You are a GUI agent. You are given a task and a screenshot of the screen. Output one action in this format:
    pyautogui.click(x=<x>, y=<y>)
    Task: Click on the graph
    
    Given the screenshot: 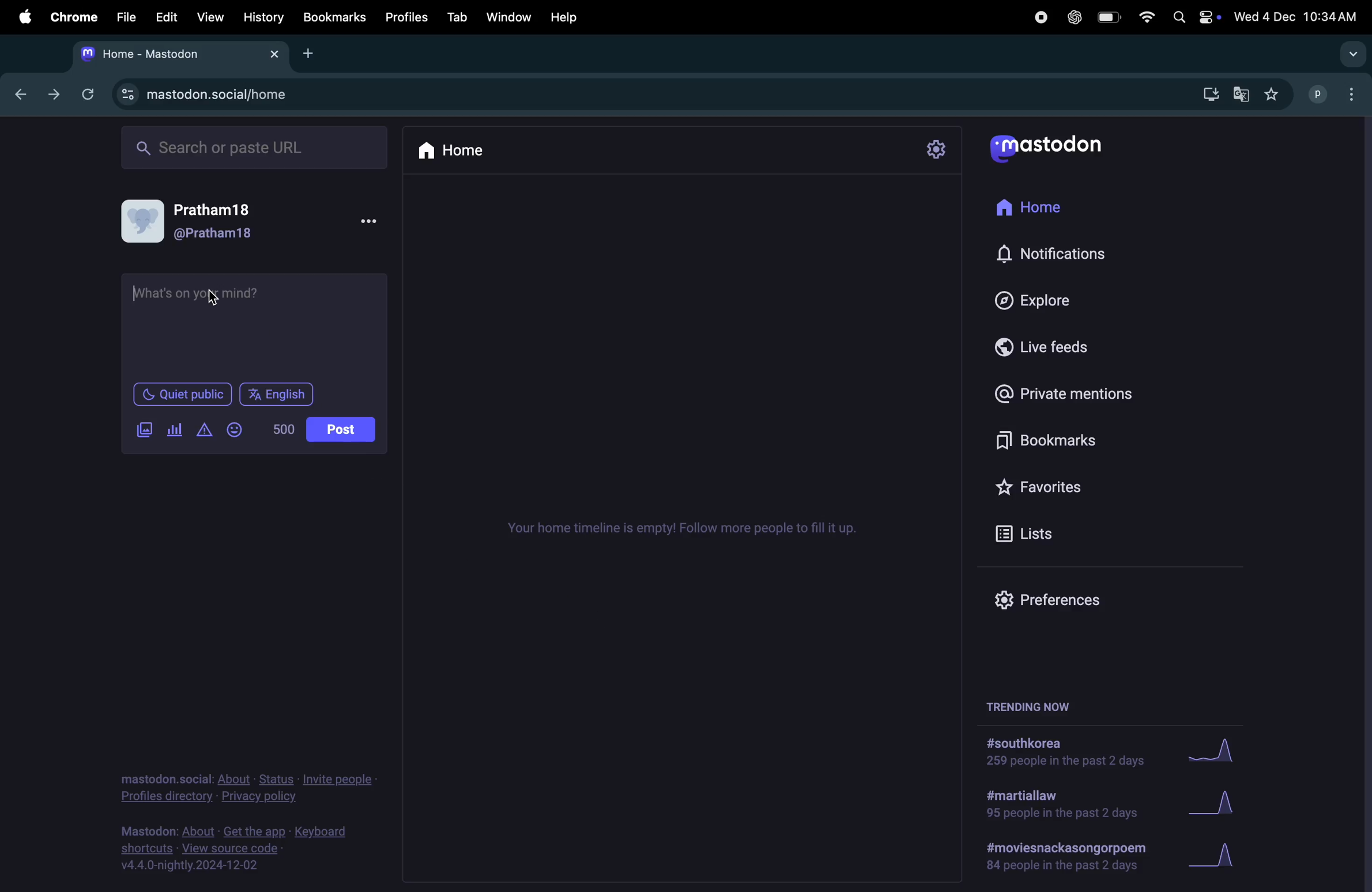 What is the action you would take?
    pyautogui.click(x=1215, y=755)
    